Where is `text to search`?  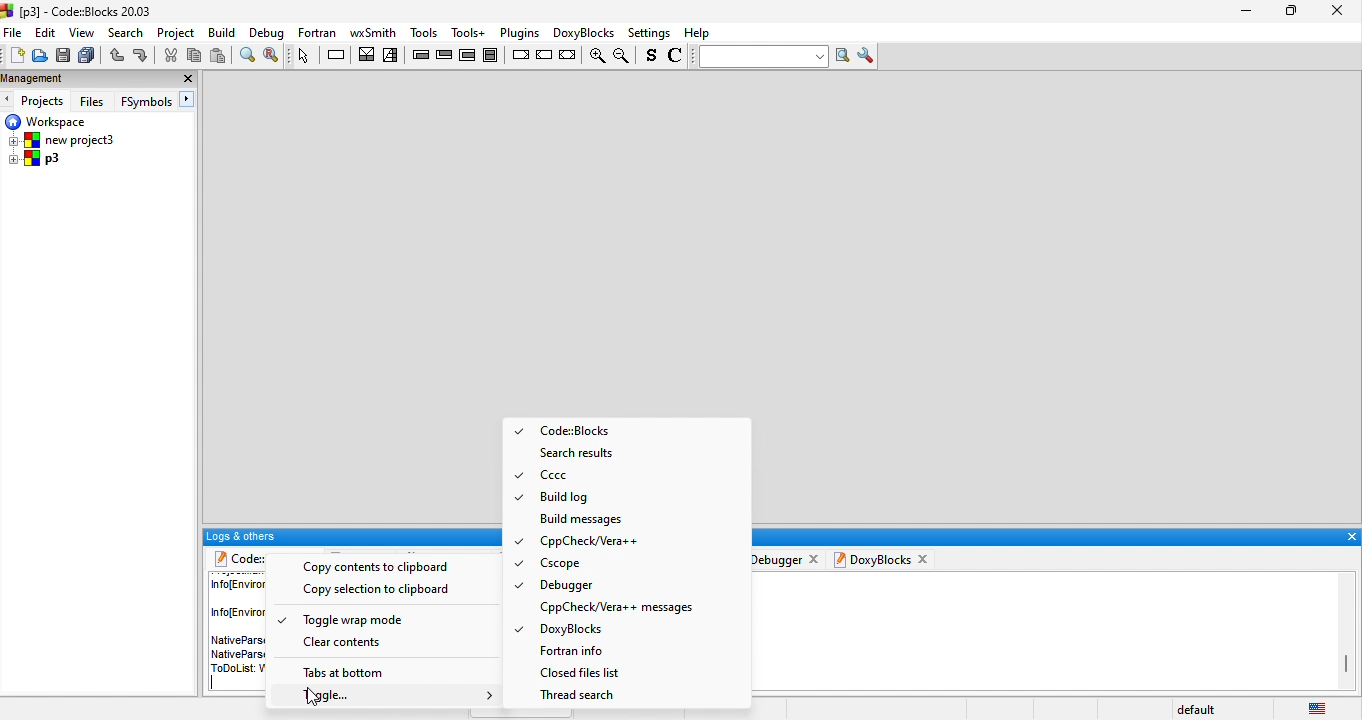 text to search is located at coordinates (761, 56).